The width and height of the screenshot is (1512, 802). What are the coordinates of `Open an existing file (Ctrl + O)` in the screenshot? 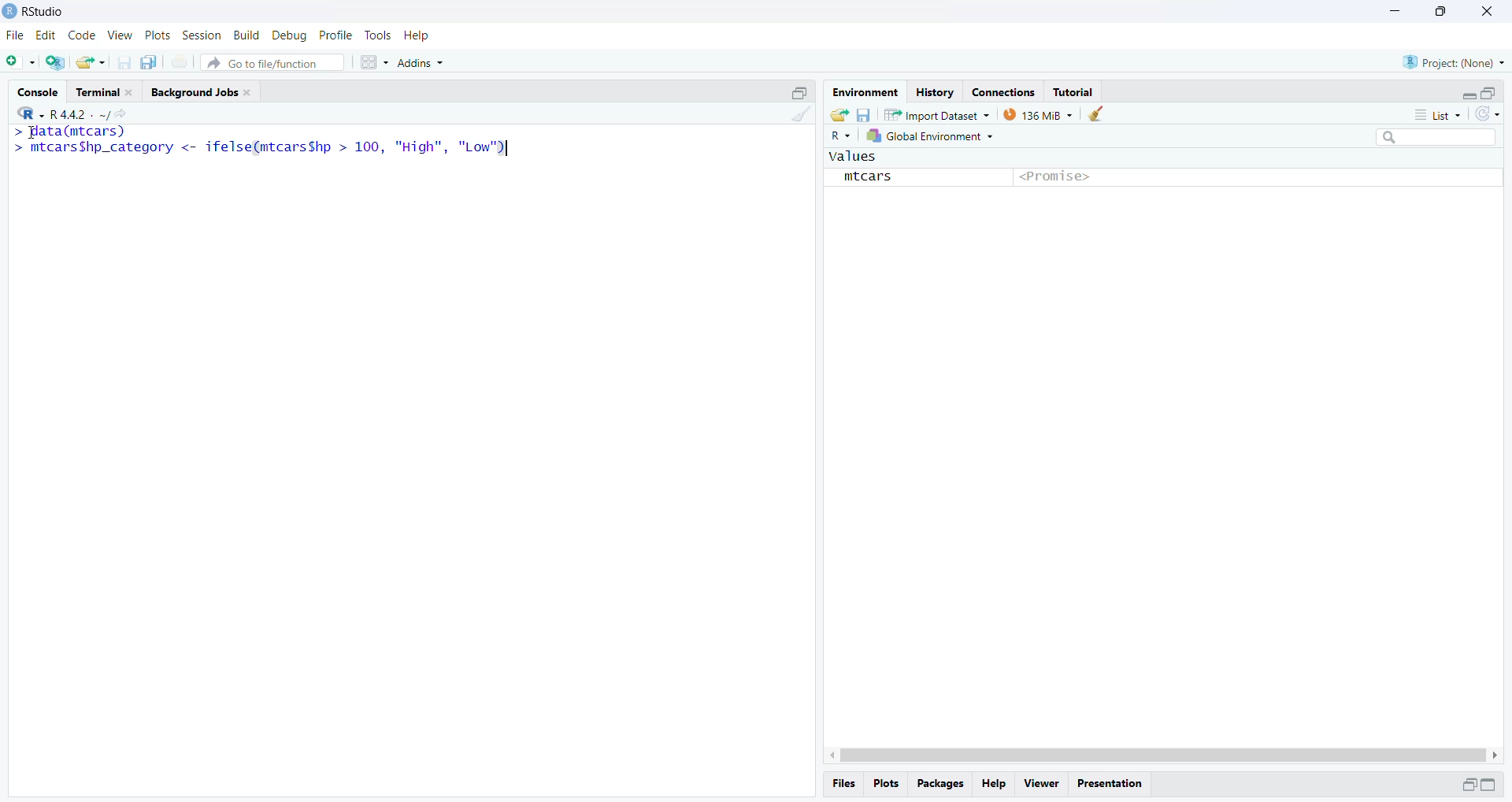 It's located at (92, 62).